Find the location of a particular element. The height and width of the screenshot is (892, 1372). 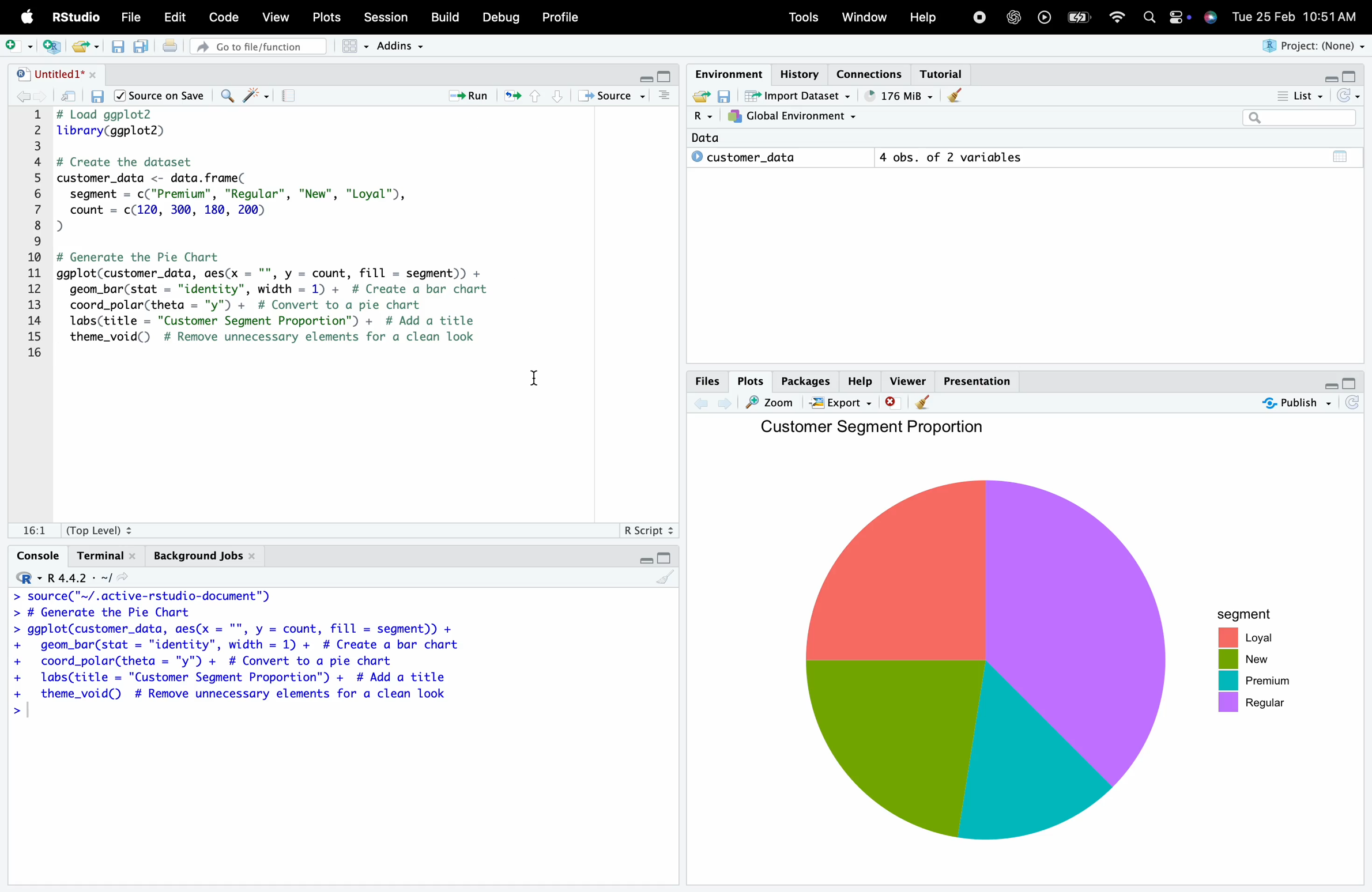

settings is located at coordinates (1178, 19).